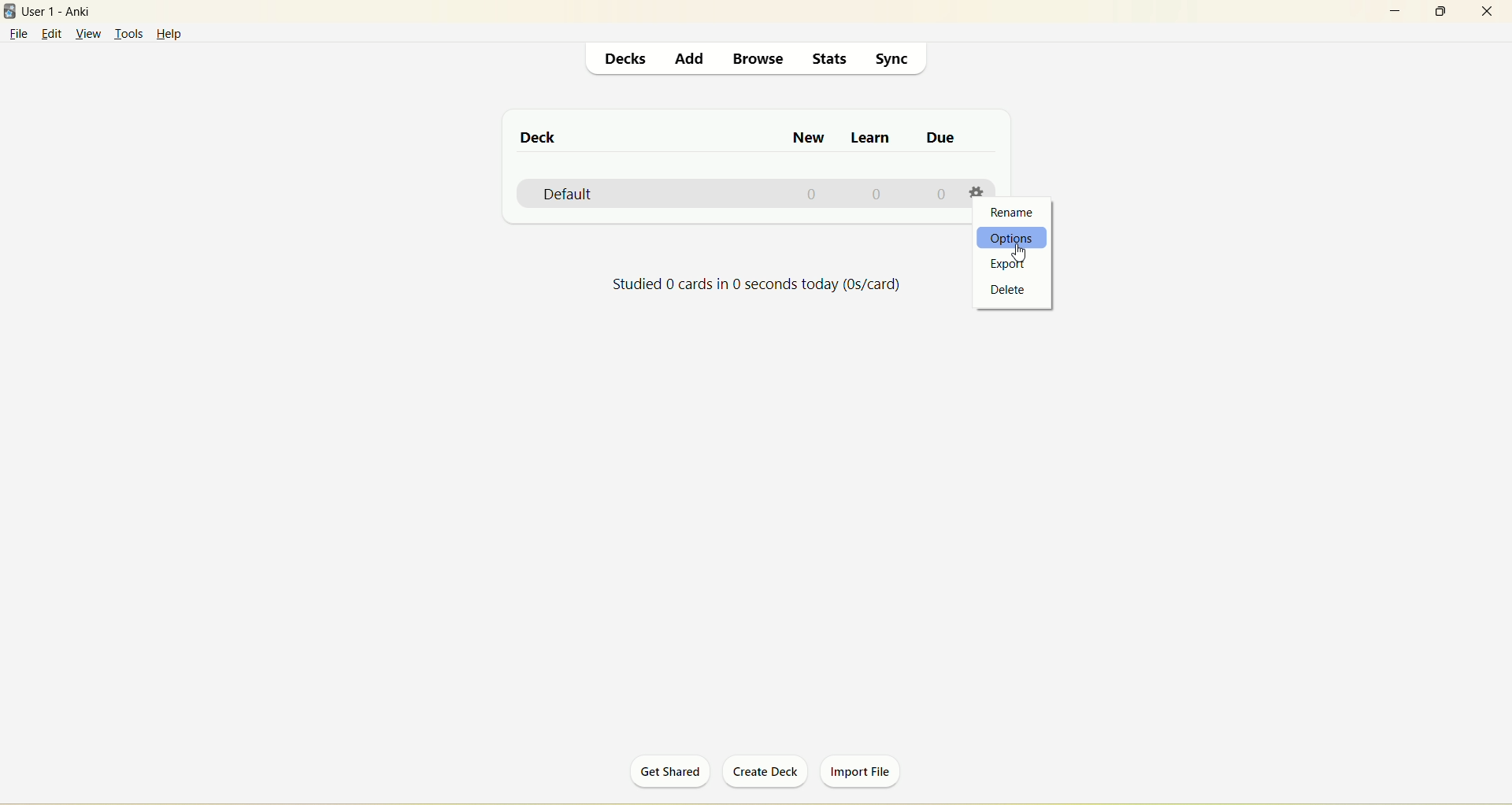 The width and height of the screenshot is (1512, 805). What do you see at coordinates (128, 35) in the screenshot?
I see `tools` at bounding box center [128, 35].